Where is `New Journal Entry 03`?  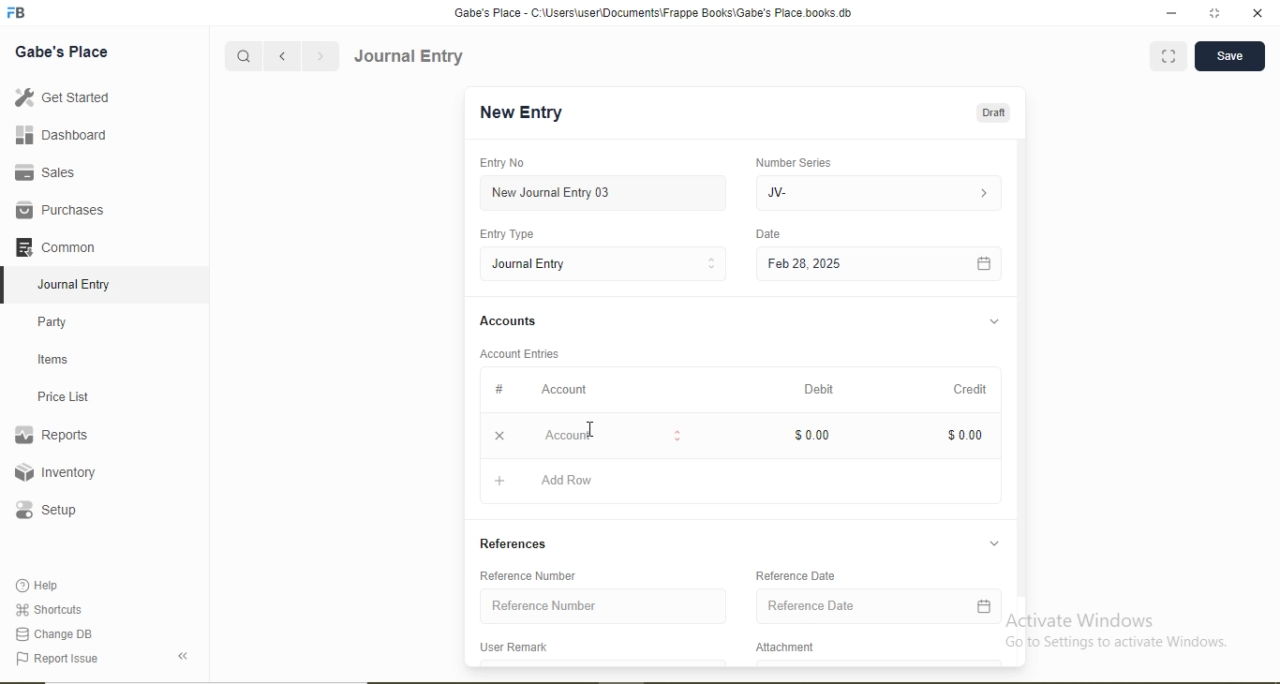
New Journal Entry 03 is located at coordinates (552, 193).